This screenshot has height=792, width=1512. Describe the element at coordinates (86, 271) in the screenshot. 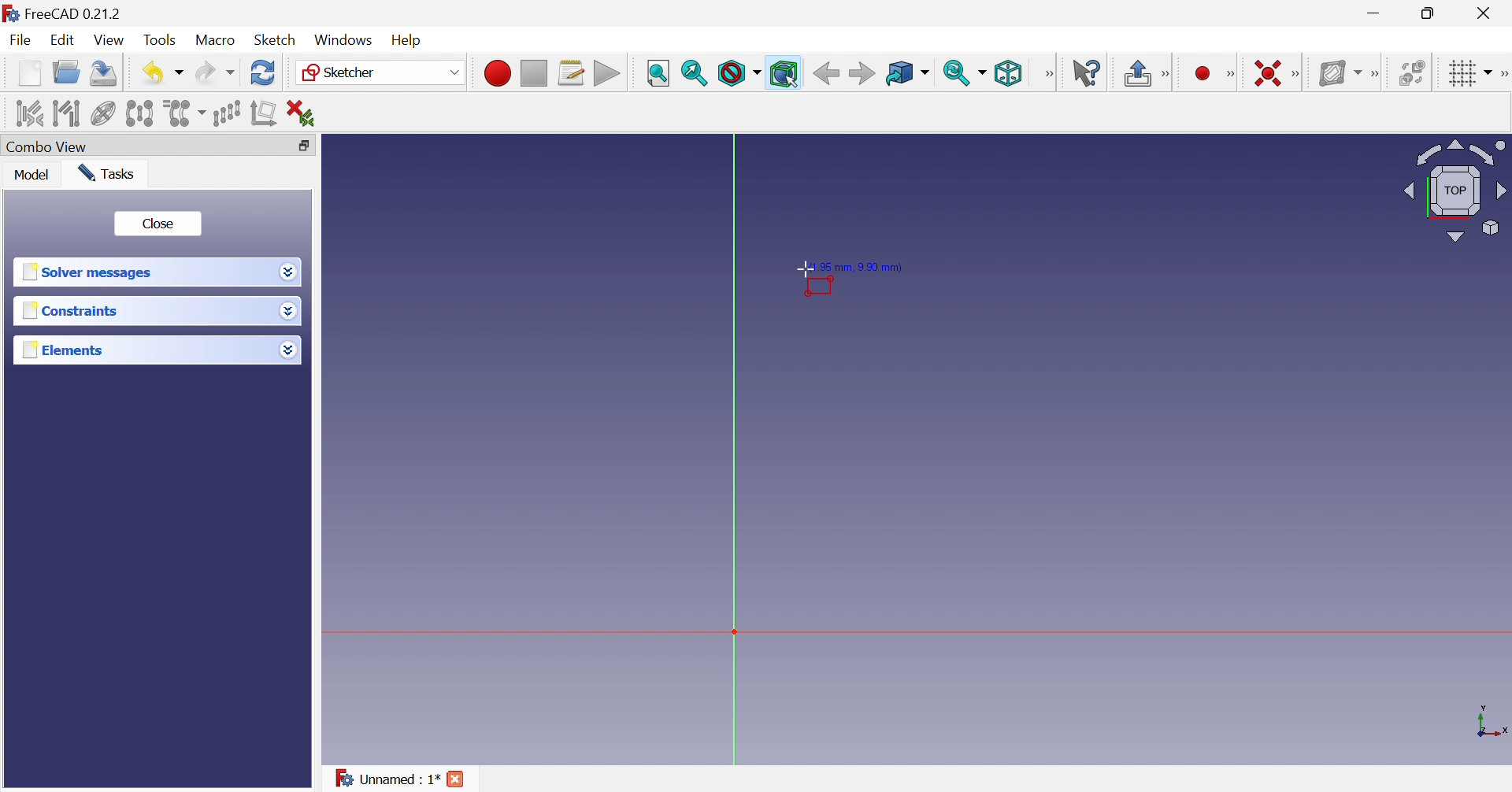

I see `Solver messages` at that location.